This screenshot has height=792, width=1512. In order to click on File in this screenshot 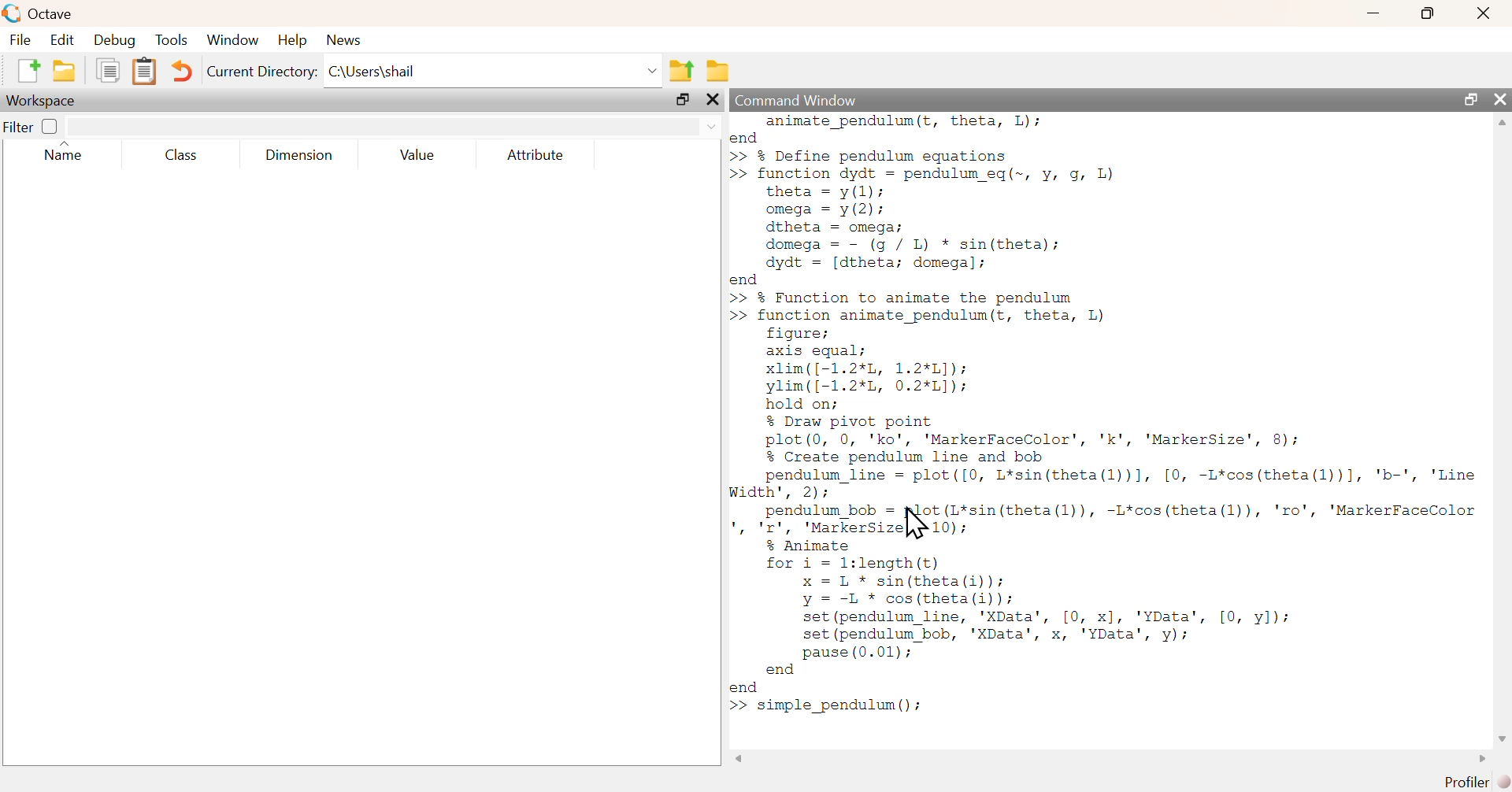, I will do `click(19, 39)`.